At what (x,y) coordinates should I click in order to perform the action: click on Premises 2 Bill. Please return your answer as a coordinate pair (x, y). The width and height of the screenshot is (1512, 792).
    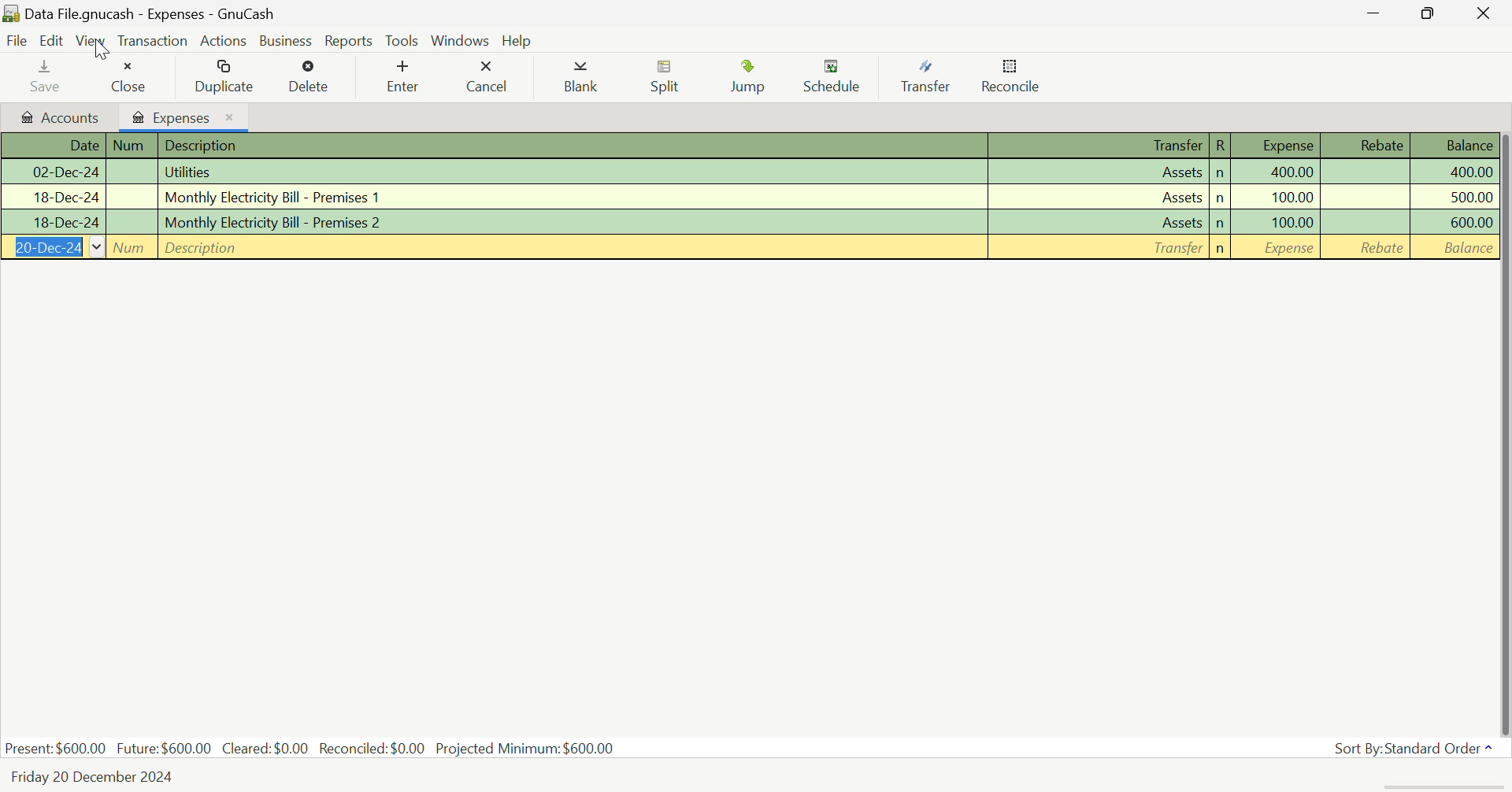
    Looking at the image, I should click on (573, 220).